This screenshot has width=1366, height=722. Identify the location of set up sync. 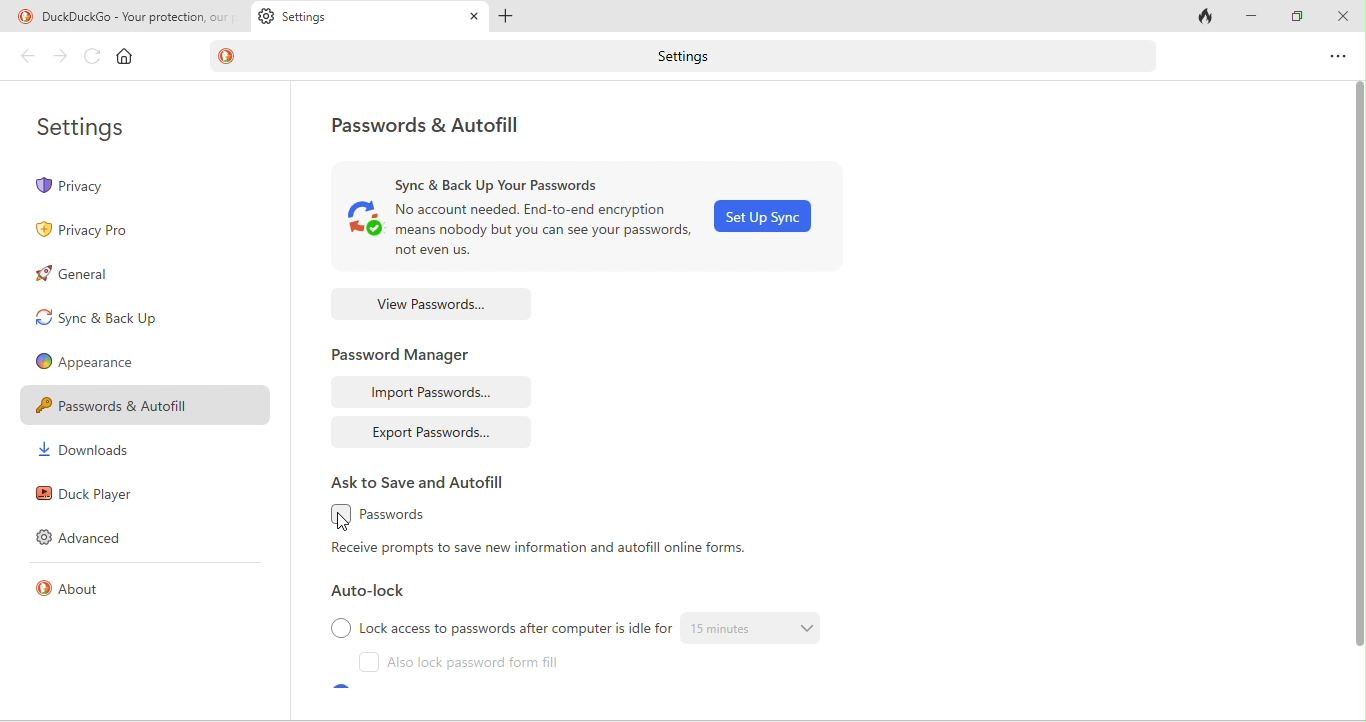
(769, 217).